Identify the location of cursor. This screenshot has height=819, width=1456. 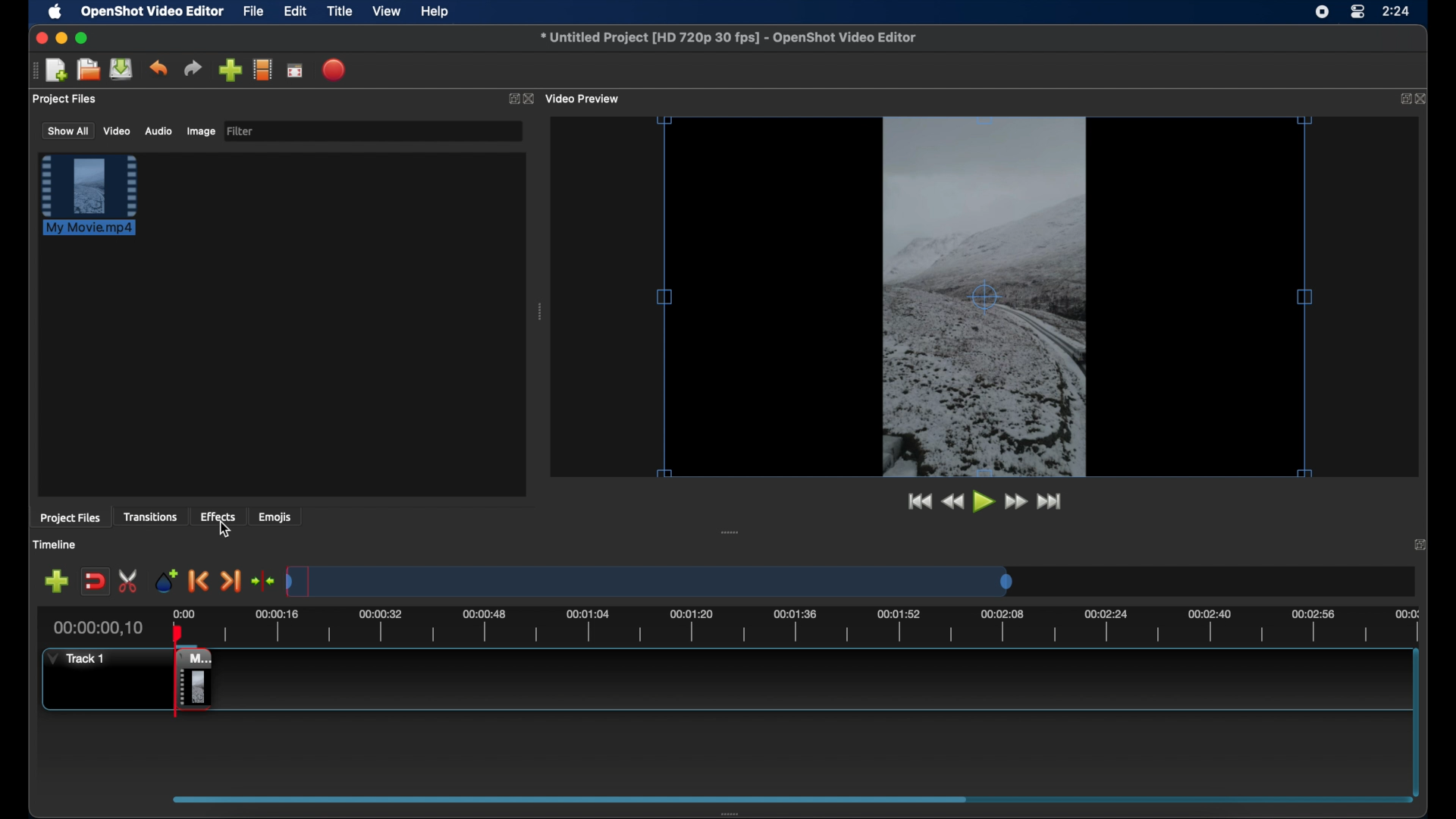
(224, 530).